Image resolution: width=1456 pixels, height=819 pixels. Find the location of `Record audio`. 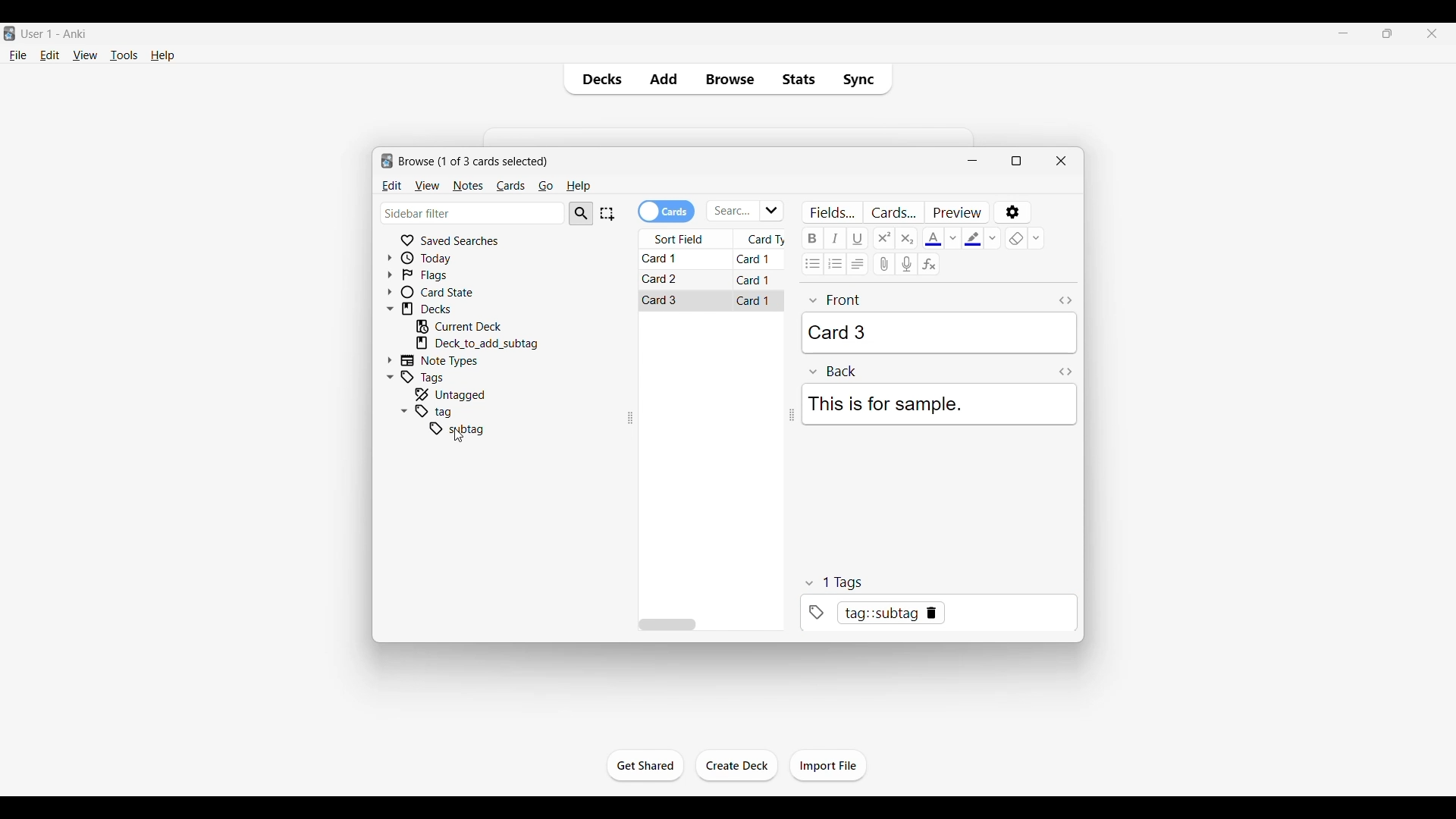

Record audio is located at coordinates (906, 264).